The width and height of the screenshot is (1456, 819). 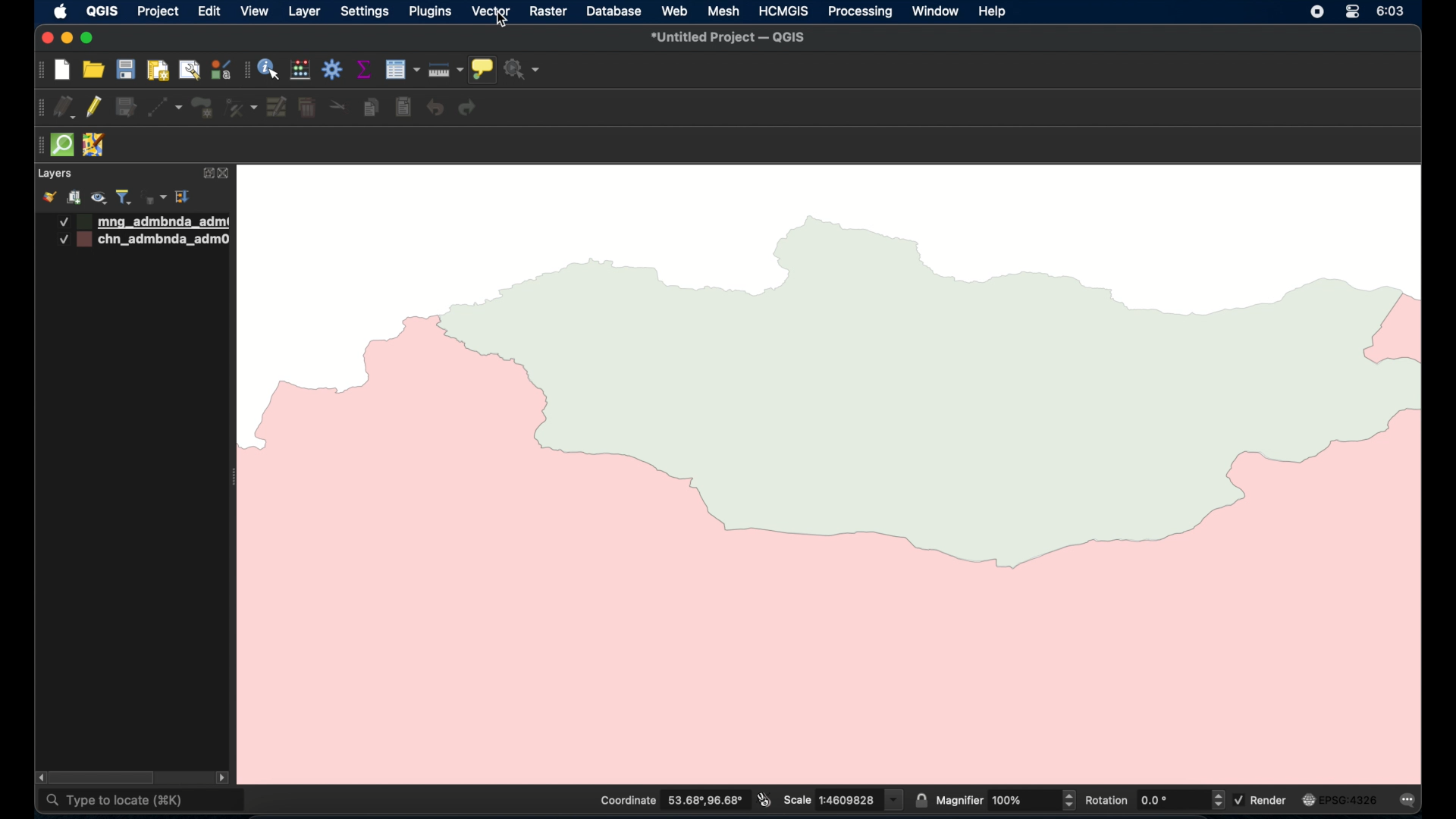 What do you see at coordinates (146, 240) in the screenshot?
I see `layer 2` at bounding box center [146, 240].